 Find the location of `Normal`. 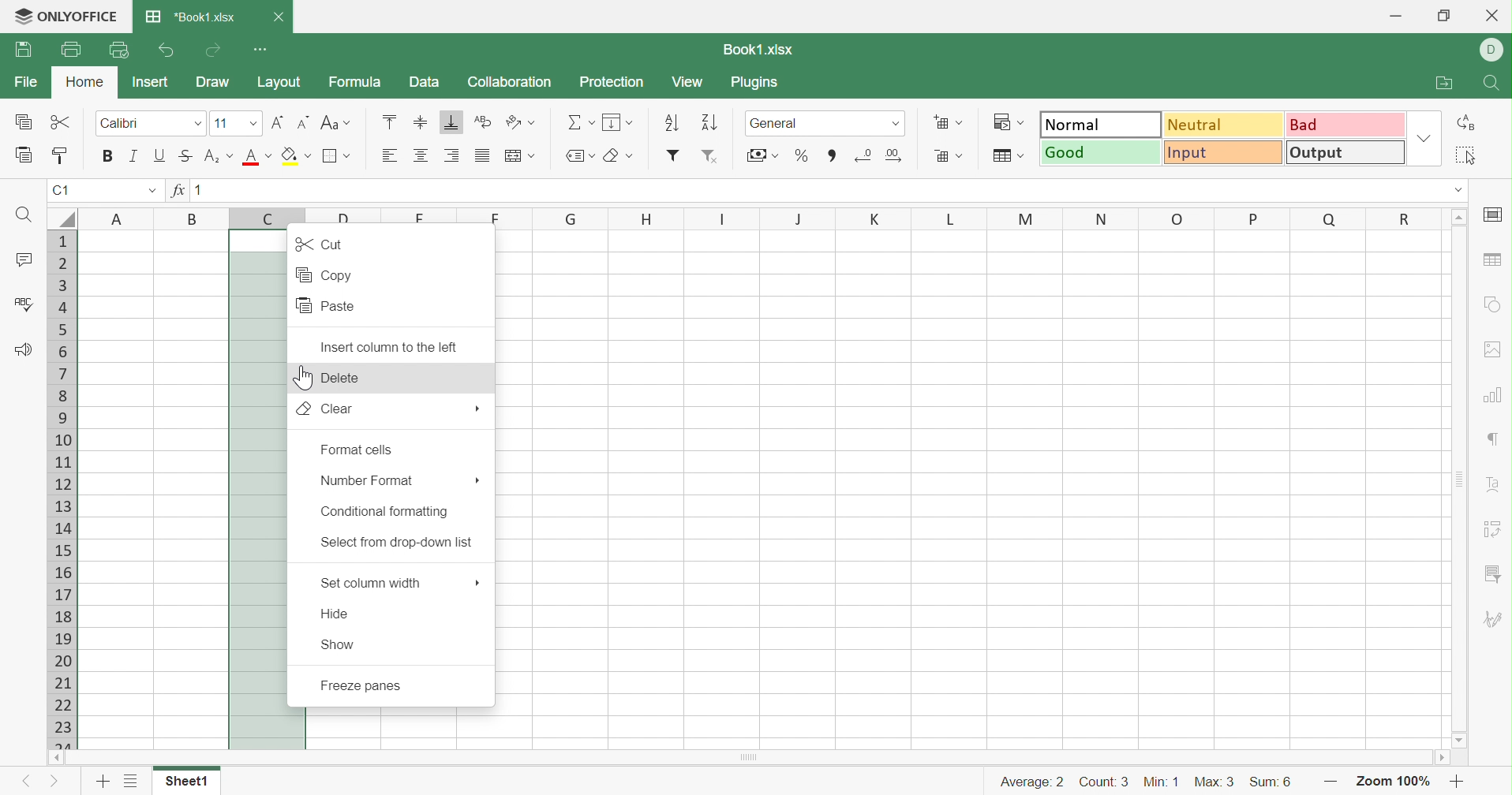

Normal is located at coordinates (1100, 124).